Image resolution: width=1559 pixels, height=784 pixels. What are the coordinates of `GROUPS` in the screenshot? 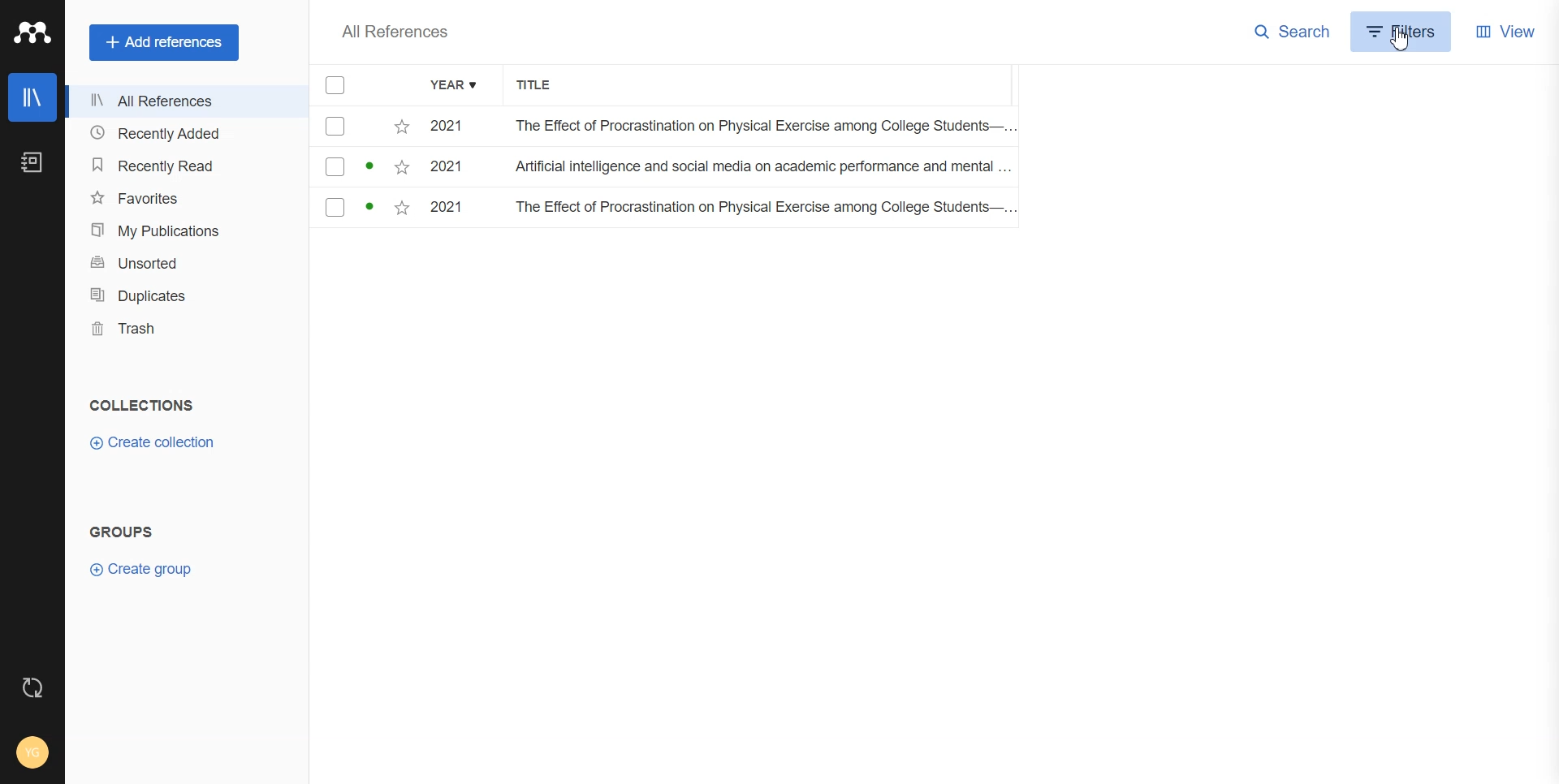 It's located at (120, 530).